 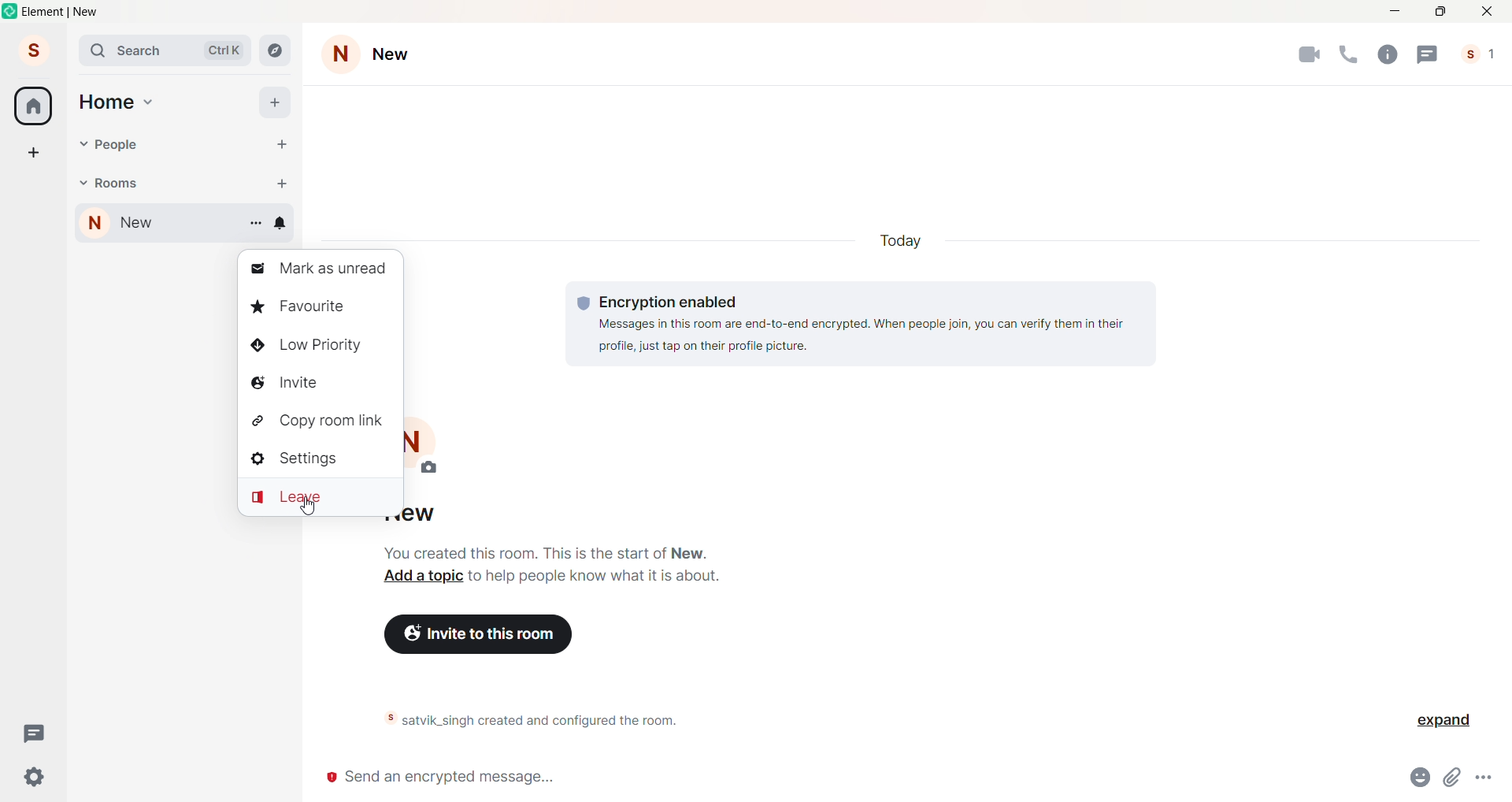 What do you see at coordinates (312, 381) in the screenshot?
I see `Invite` at bounding box center [312, 381].